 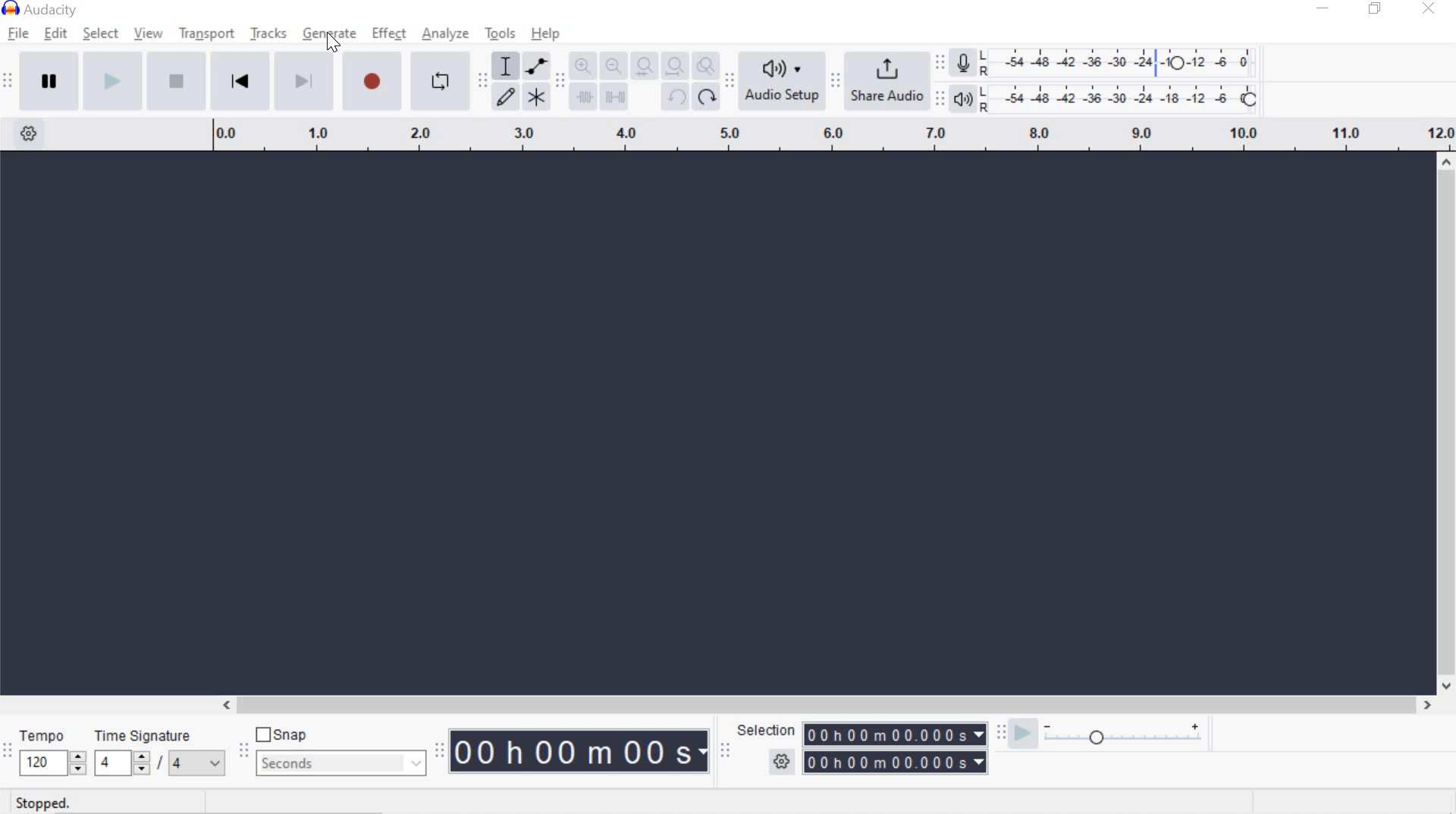 I want to click on Timeline options, so click(x=28, y=131).